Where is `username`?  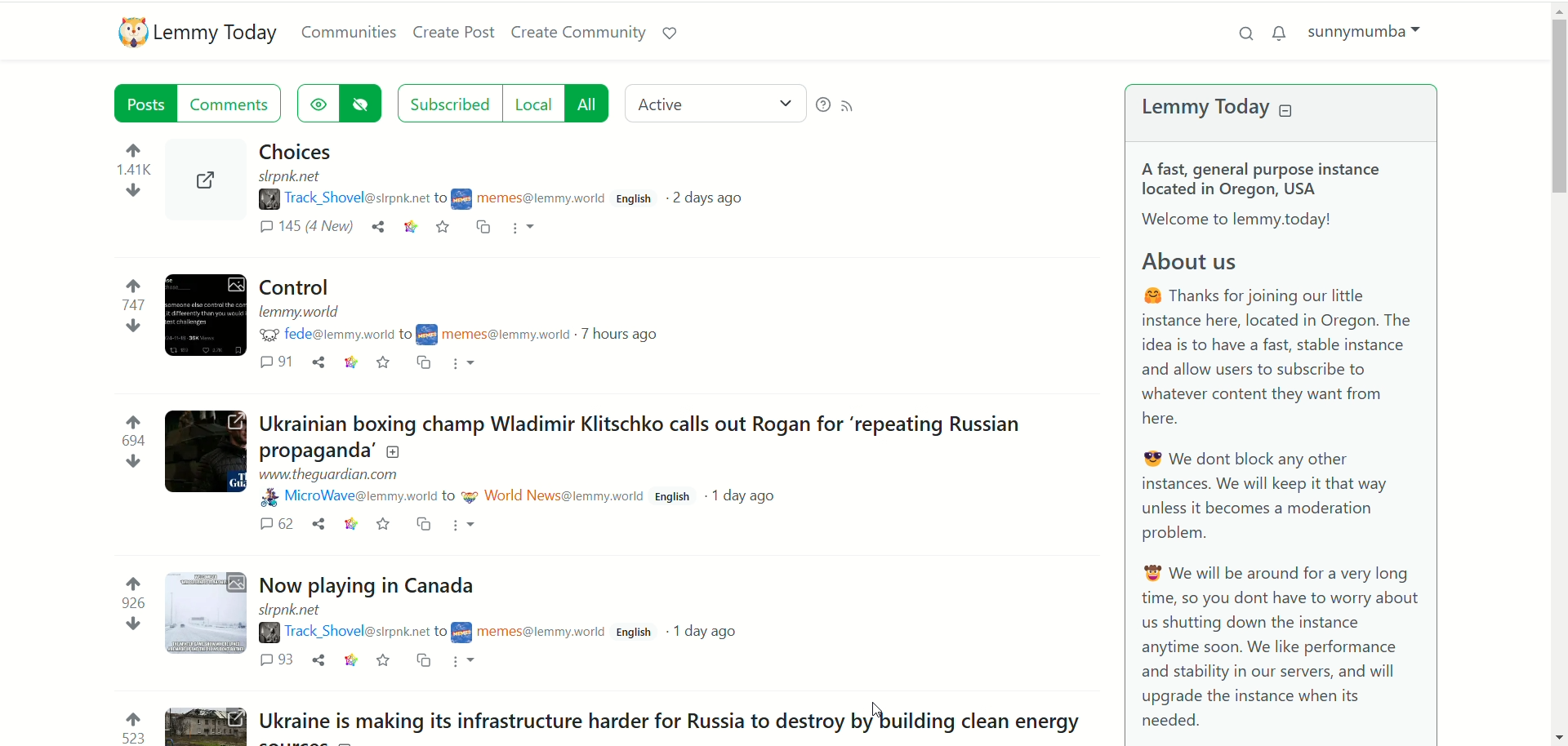
username is located at coordinates (337, 199).